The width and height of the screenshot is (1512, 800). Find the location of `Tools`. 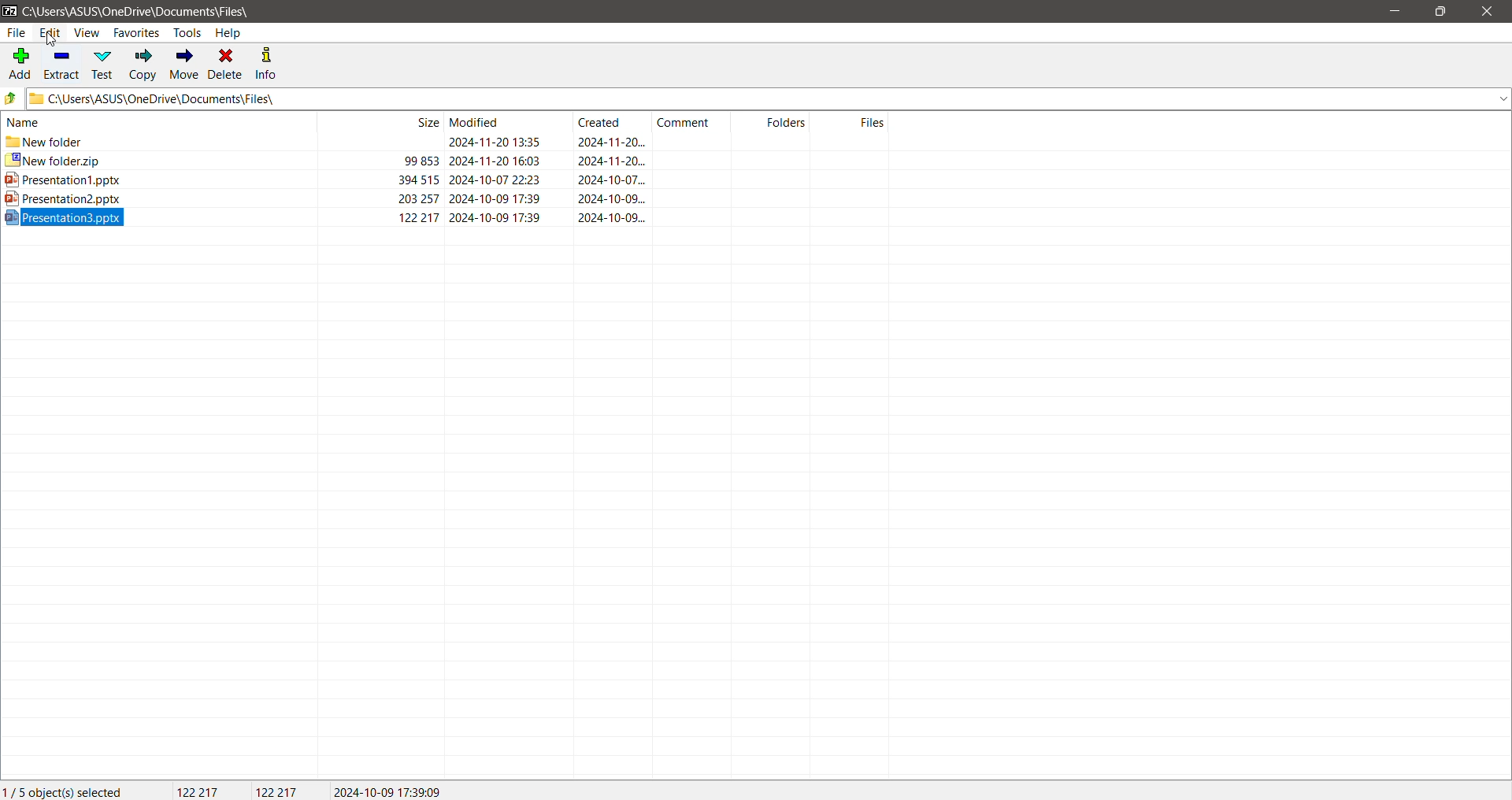

Tools is located at coordinates (187, 32).